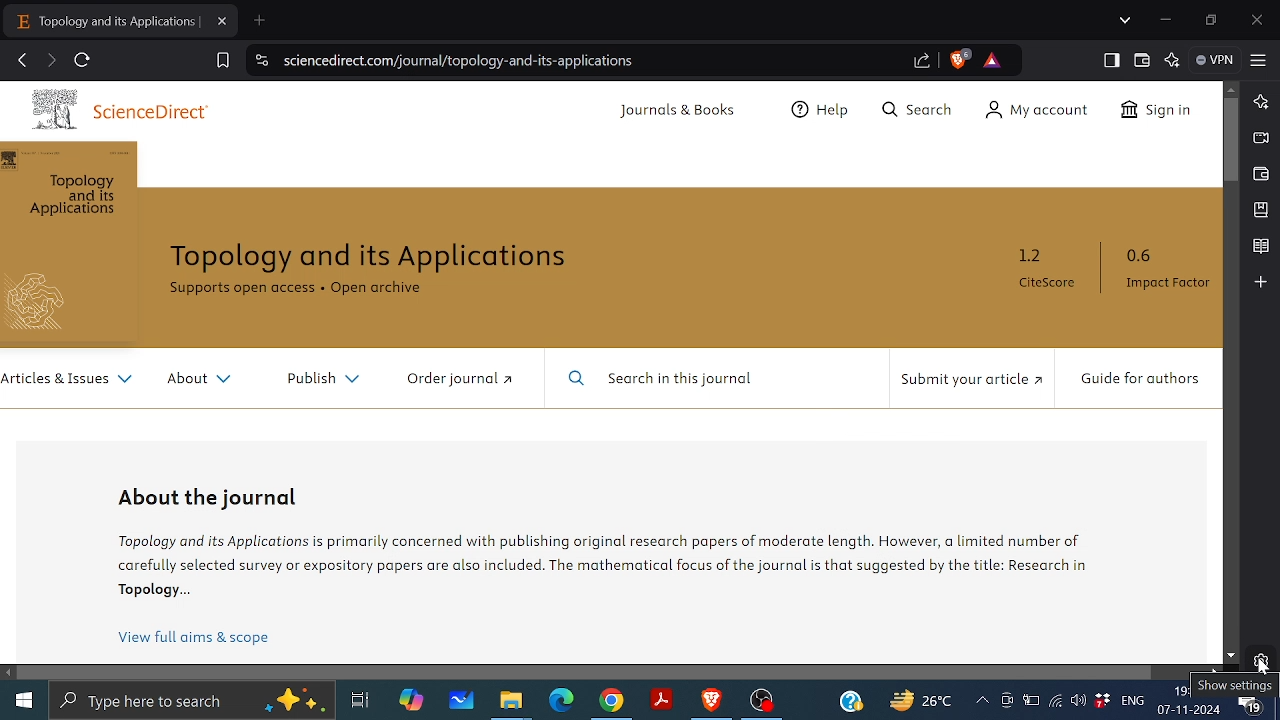  I want to click on ScienceDirect, so click(153, 112).